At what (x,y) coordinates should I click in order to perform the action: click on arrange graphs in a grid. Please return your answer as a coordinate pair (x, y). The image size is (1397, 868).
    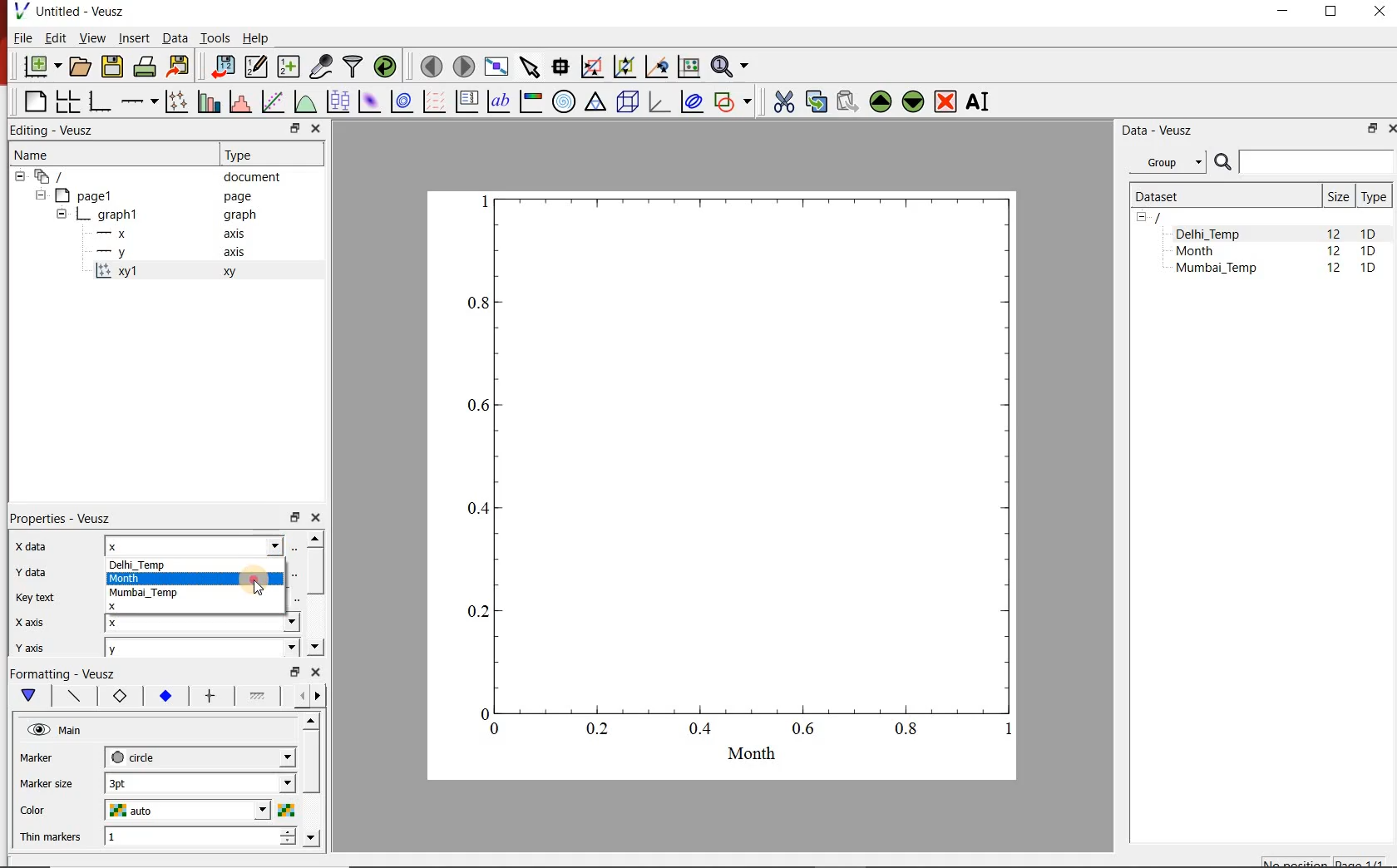
    Looking at the image, I should click on (67, 101).